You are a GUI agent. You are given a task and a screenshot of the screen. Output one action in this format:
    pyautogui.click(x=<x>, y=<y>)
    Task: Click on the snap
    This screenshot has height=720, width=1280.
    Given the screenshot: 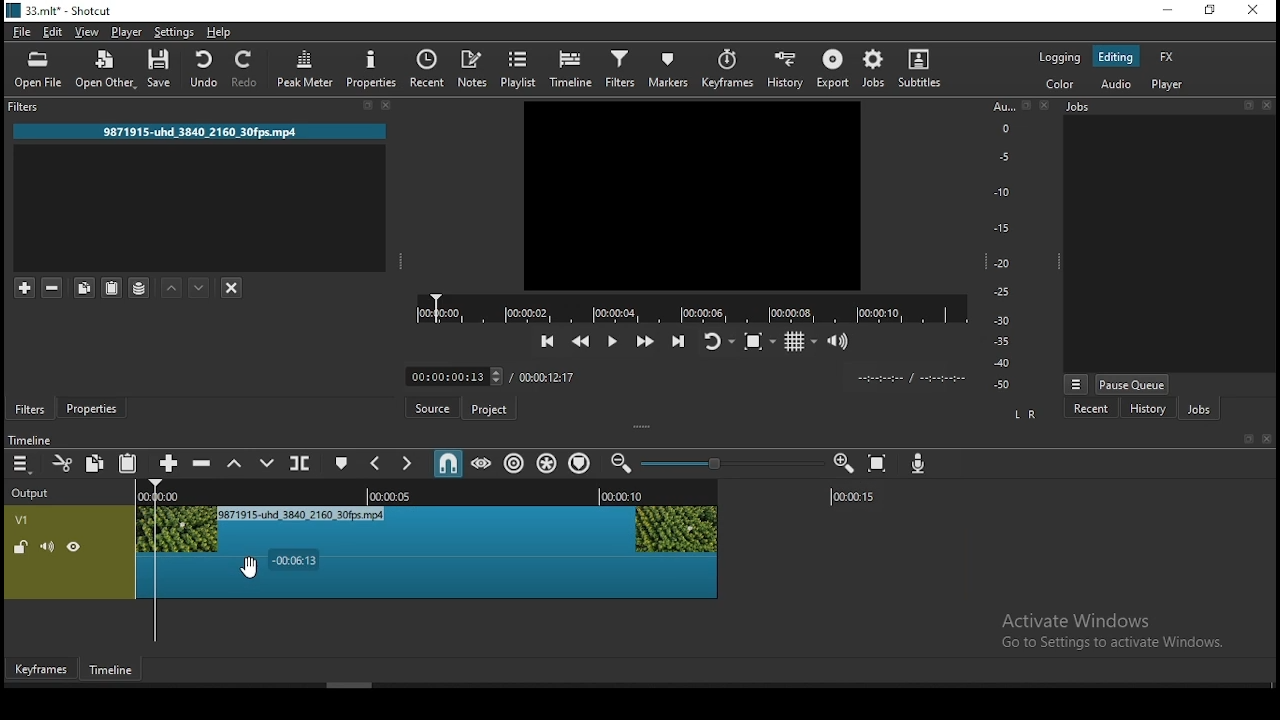 What is the action you would take?
    pyautogui.click(x=451, y=465)
    